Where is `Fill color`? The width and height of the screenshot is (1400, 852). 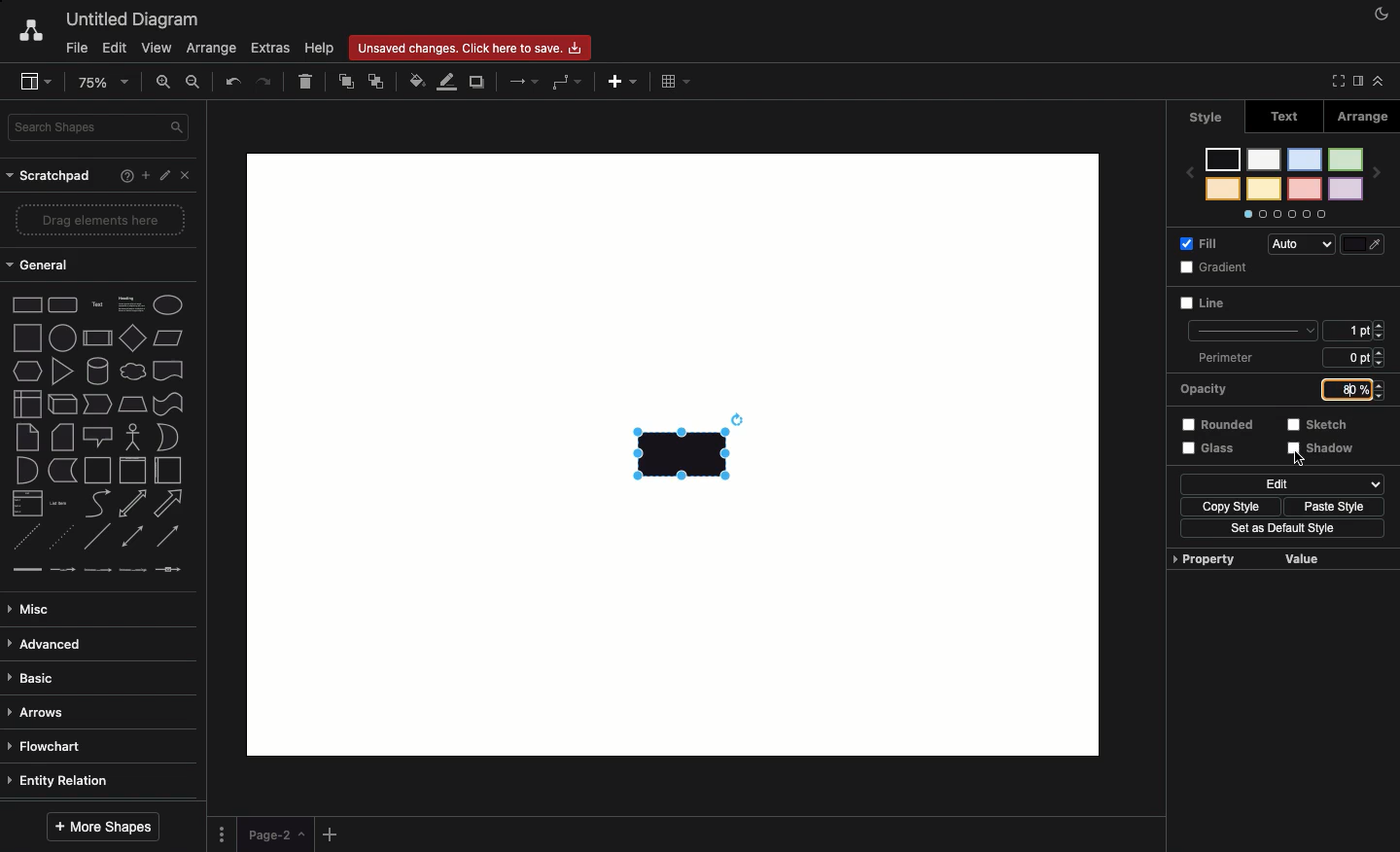 Fill color is located at coordinates (415, 79).